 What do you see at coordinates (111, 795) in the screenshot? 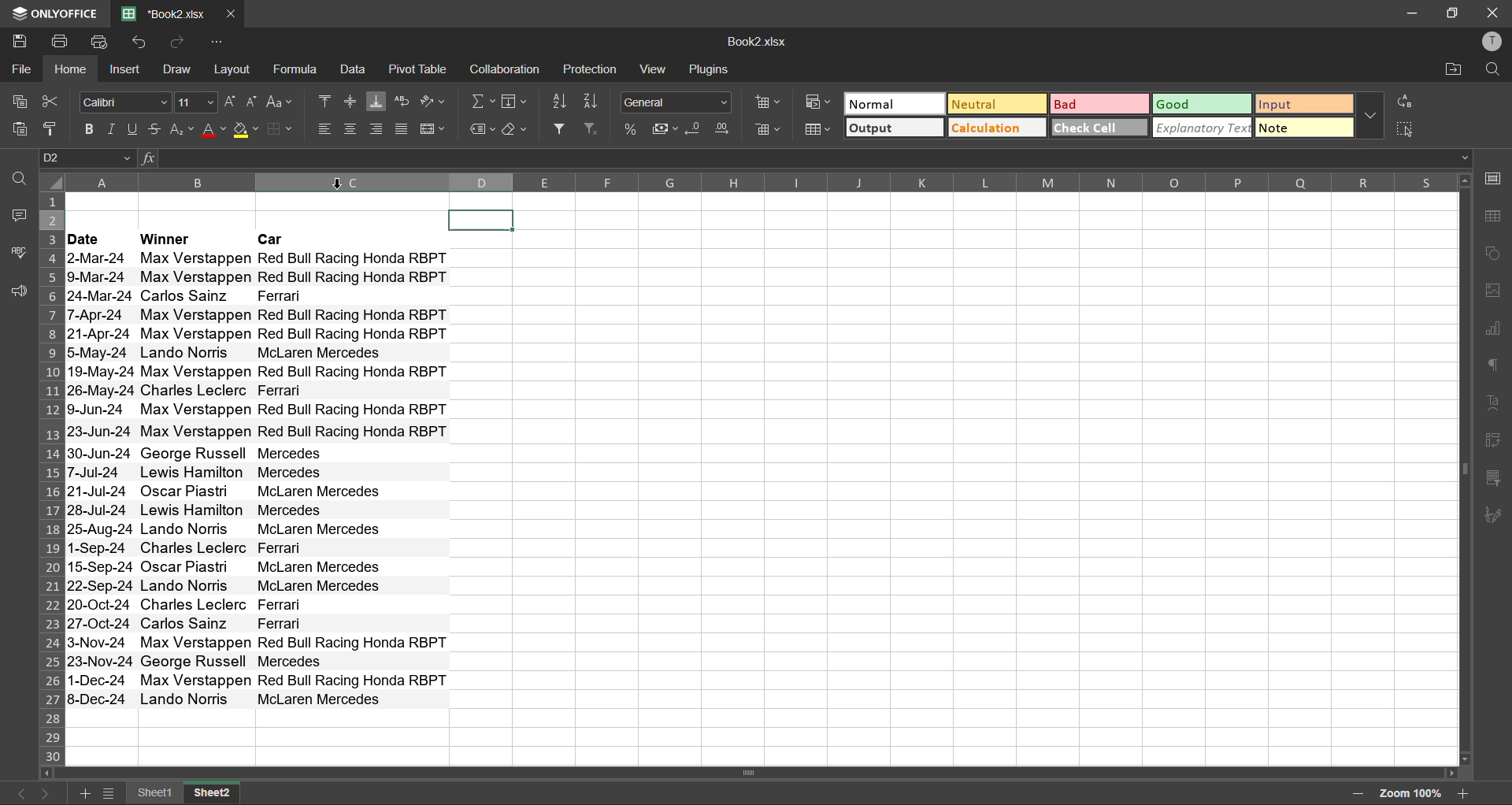
I see `sheet list` at bounding box center [111, 795].